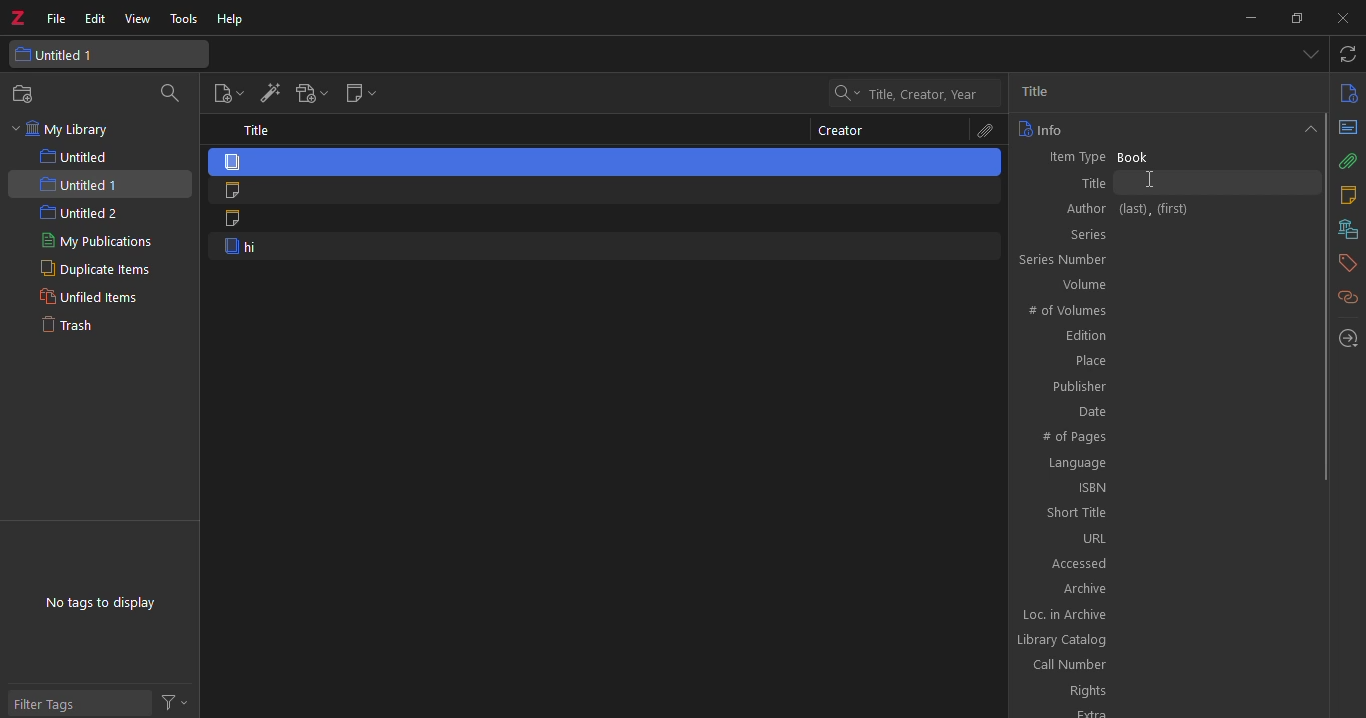  I want to click on attach, so click(982, 131).